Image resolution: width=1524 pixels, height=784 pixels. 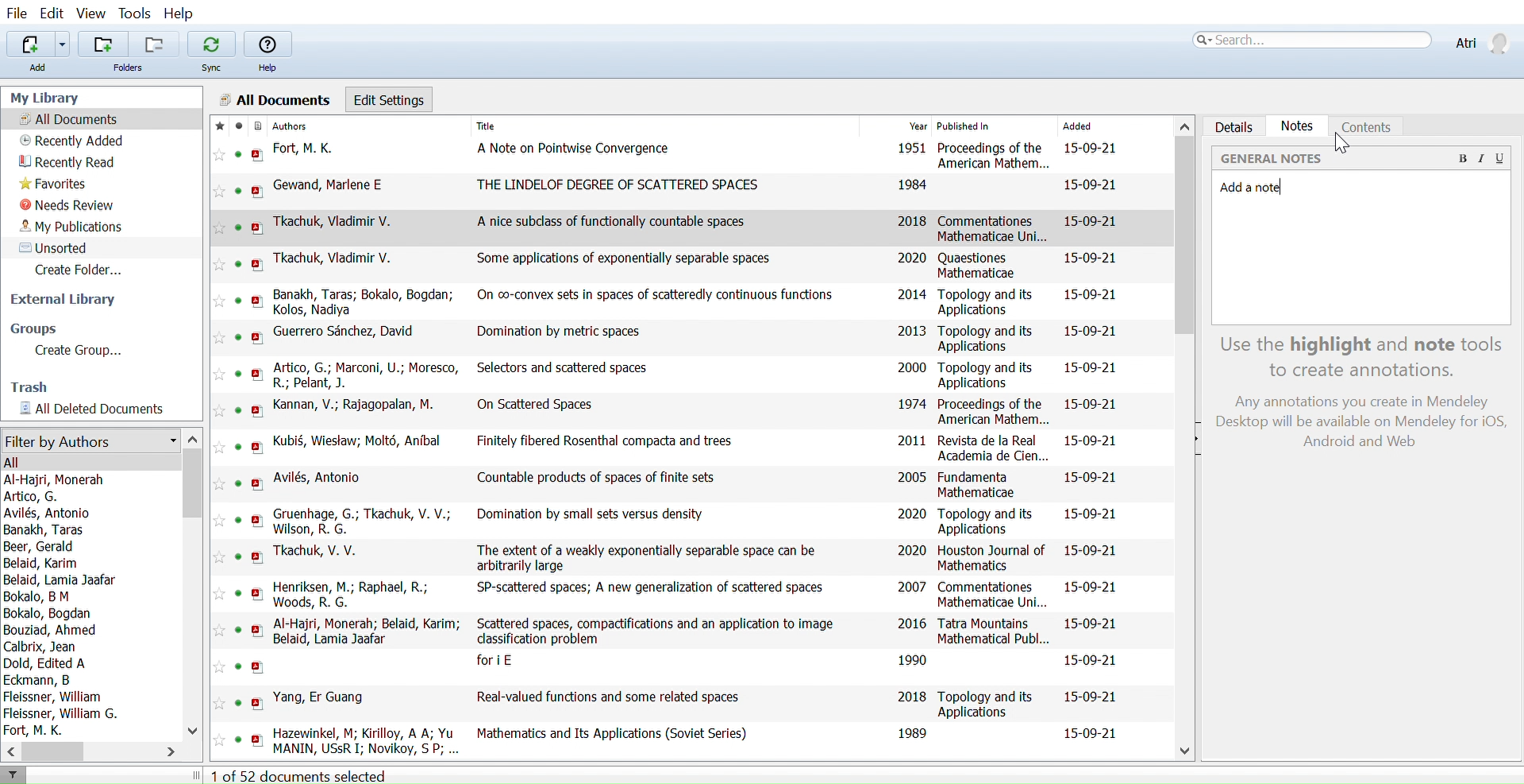 I want to click on Mark as favorite, so click(x=217, y=126).